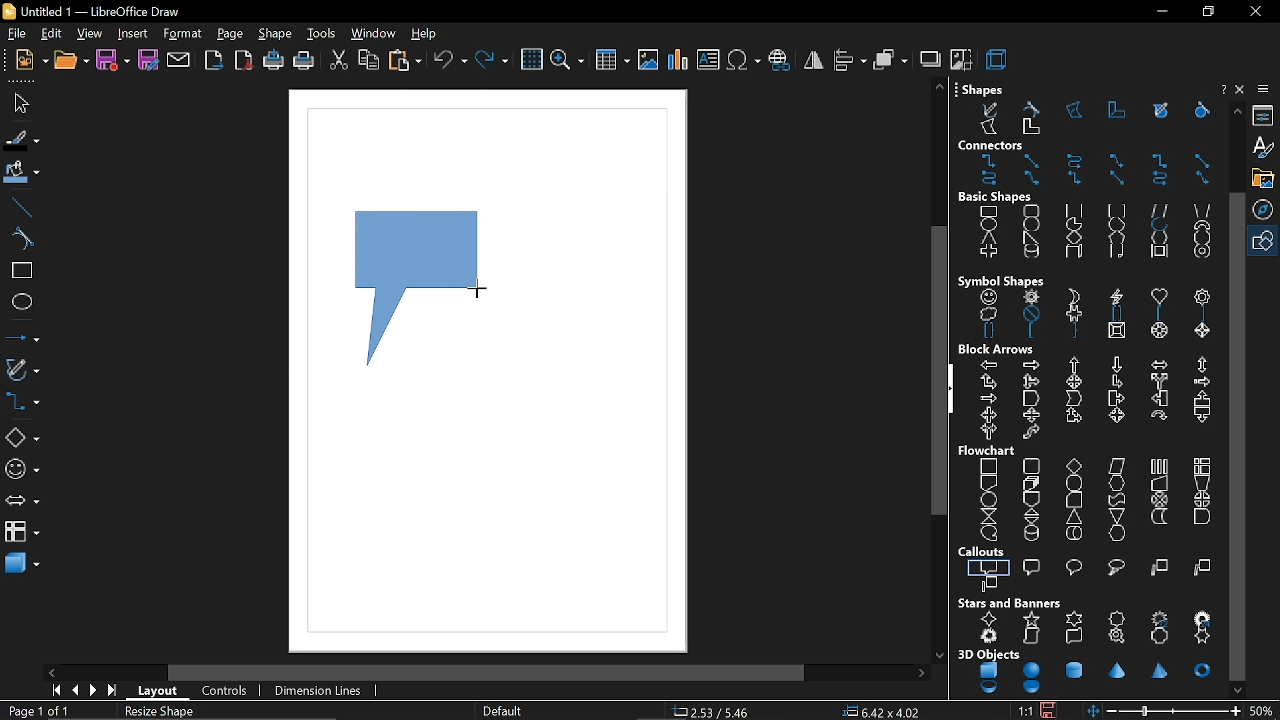 The width and height of the screenshot is (1280, 720). What do you see at coordinates (989, 532) in the screenshot?
I see `sequential access` at bounding box center [989, 532].